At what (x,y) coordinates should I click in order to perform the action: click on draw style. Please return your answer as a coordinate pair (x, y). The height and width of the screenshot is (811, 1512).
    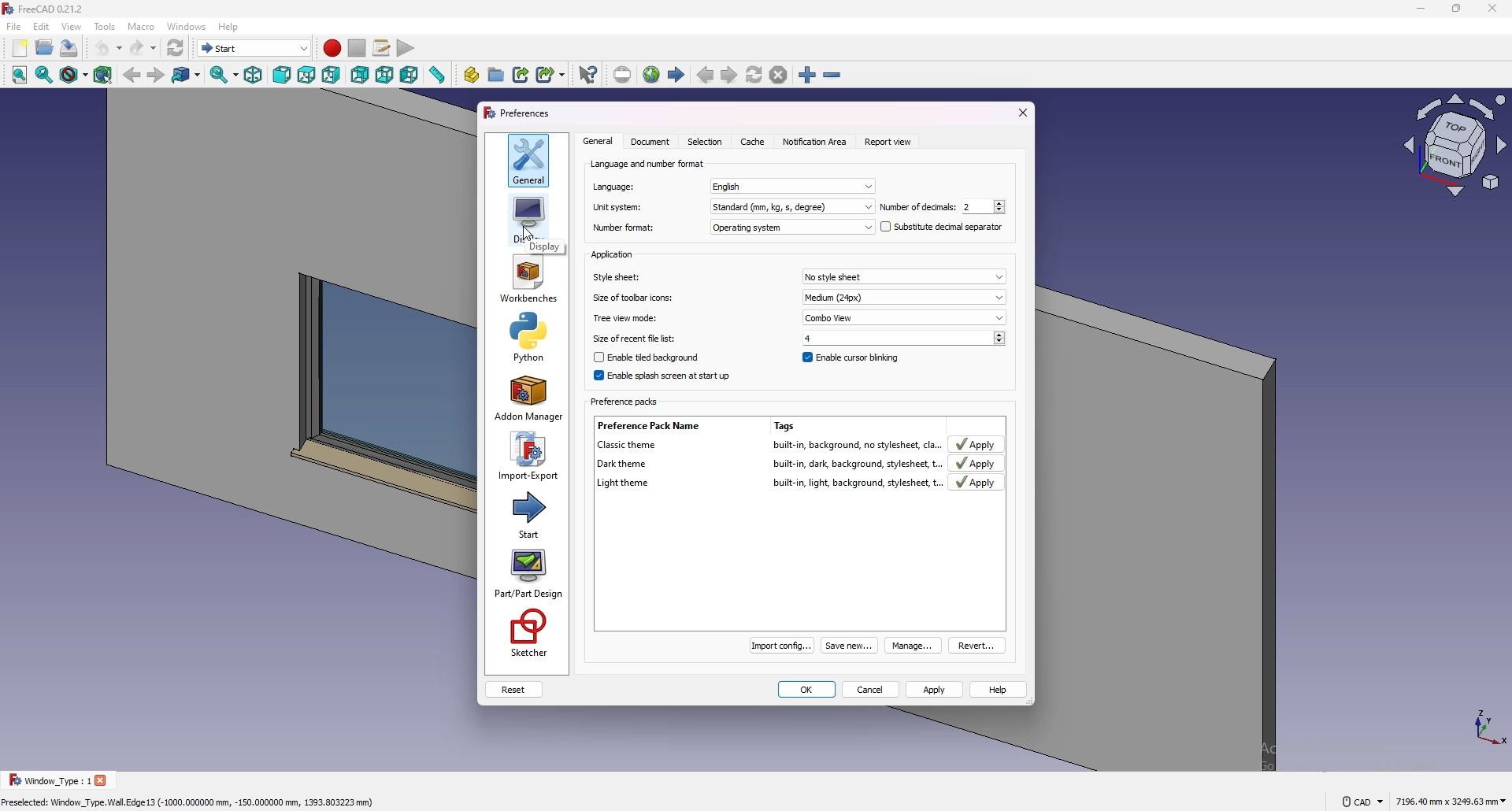
    Looking at the image, I should click on (74, 76).